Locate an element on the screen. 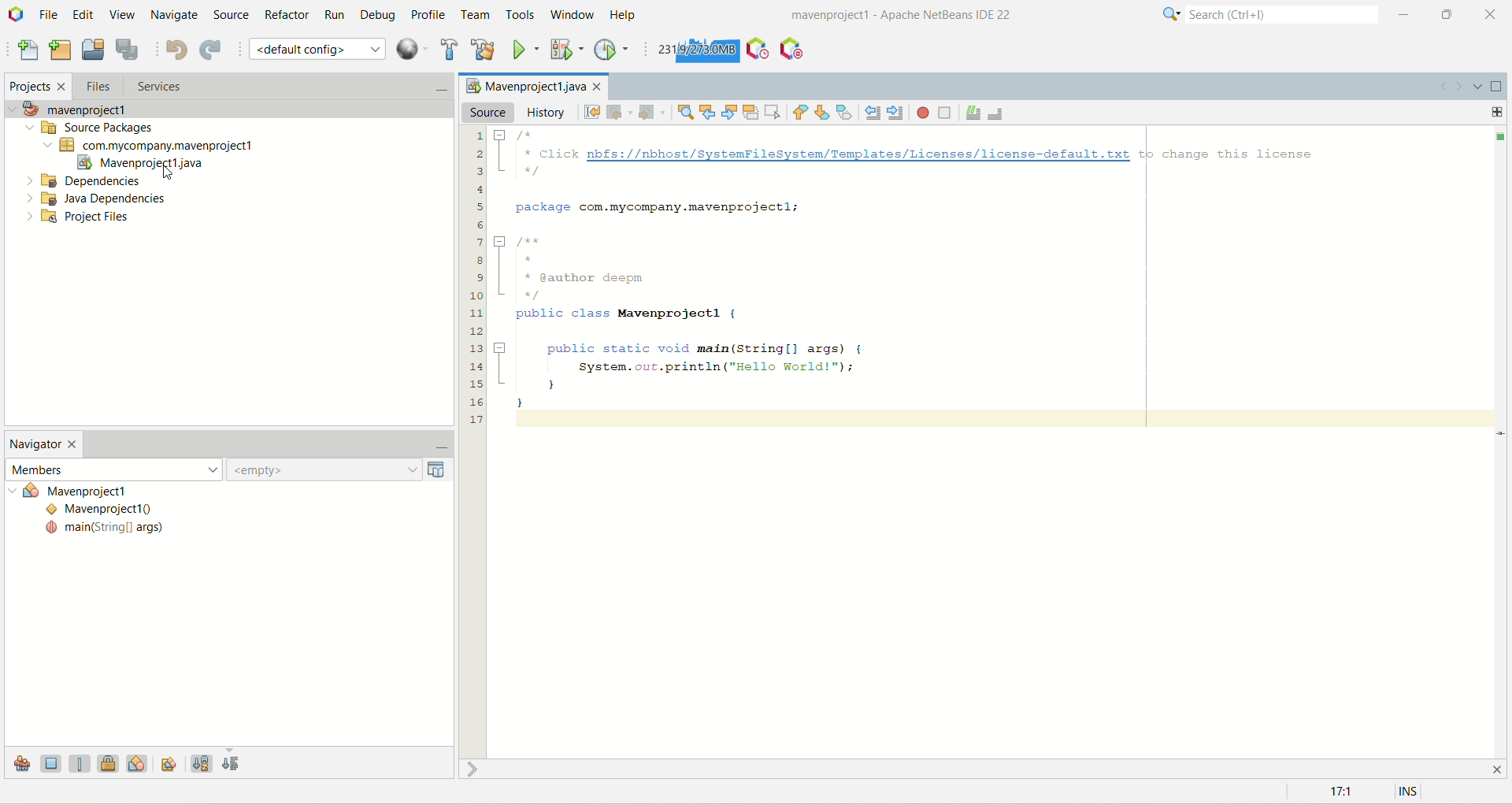 Image resolution: width=1512 pixels, height=805 pixels. source is located at coordinates (487, 112).